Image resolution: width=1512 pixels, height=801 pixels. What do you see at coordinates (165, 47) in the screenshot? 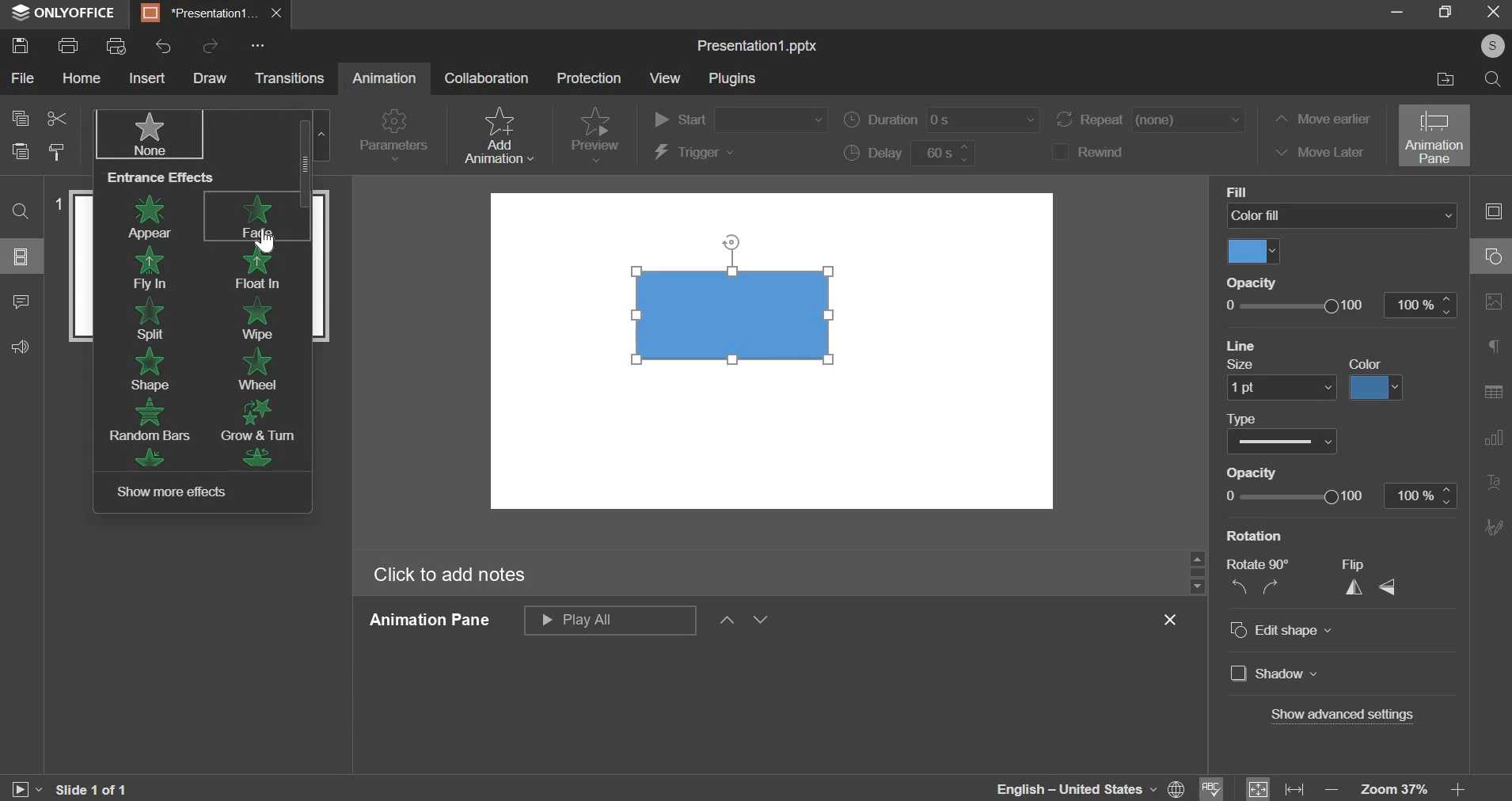
I see `undo` at bounding box center [165, 47].